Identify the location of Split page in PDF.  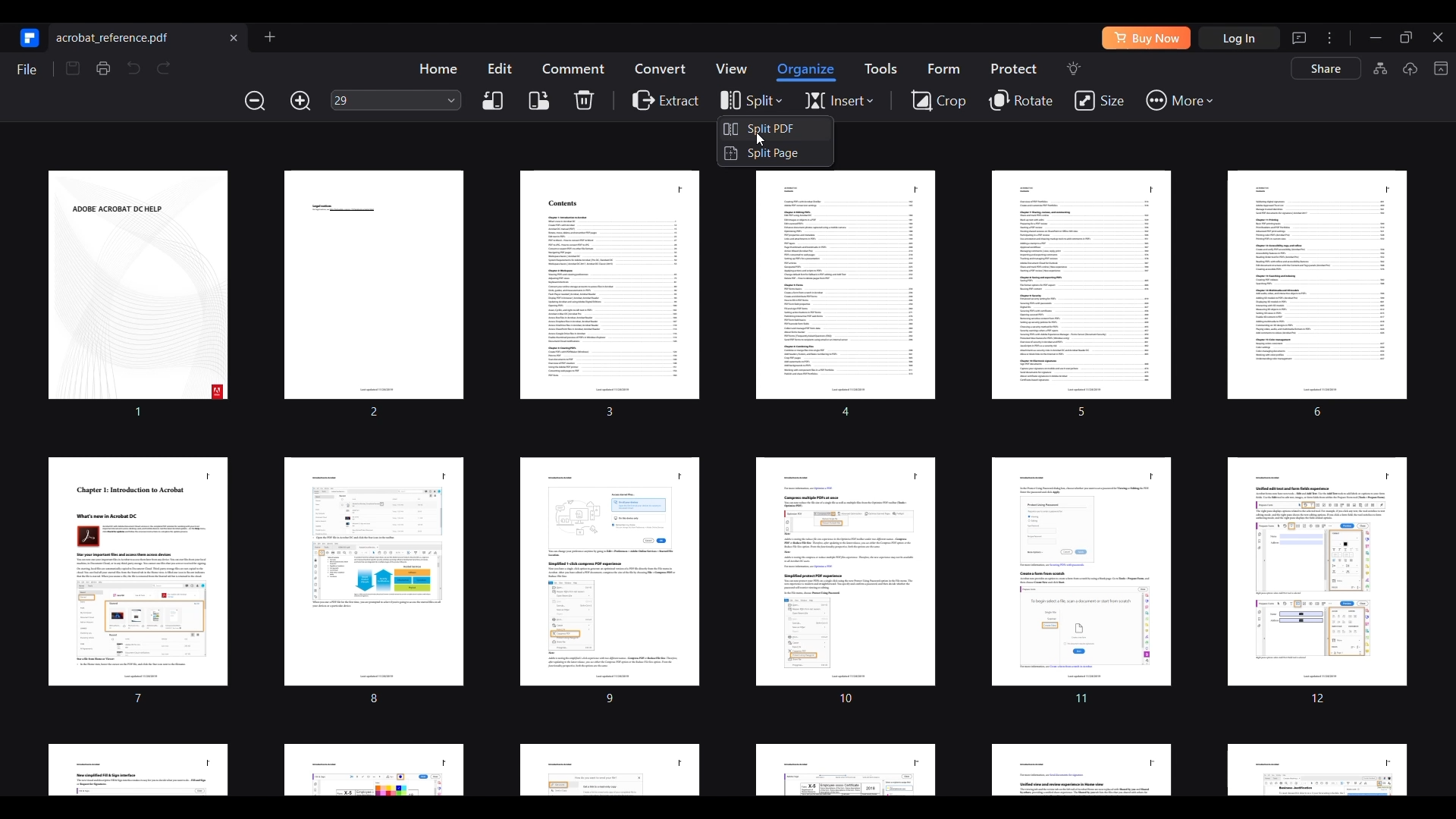
(774, 153).